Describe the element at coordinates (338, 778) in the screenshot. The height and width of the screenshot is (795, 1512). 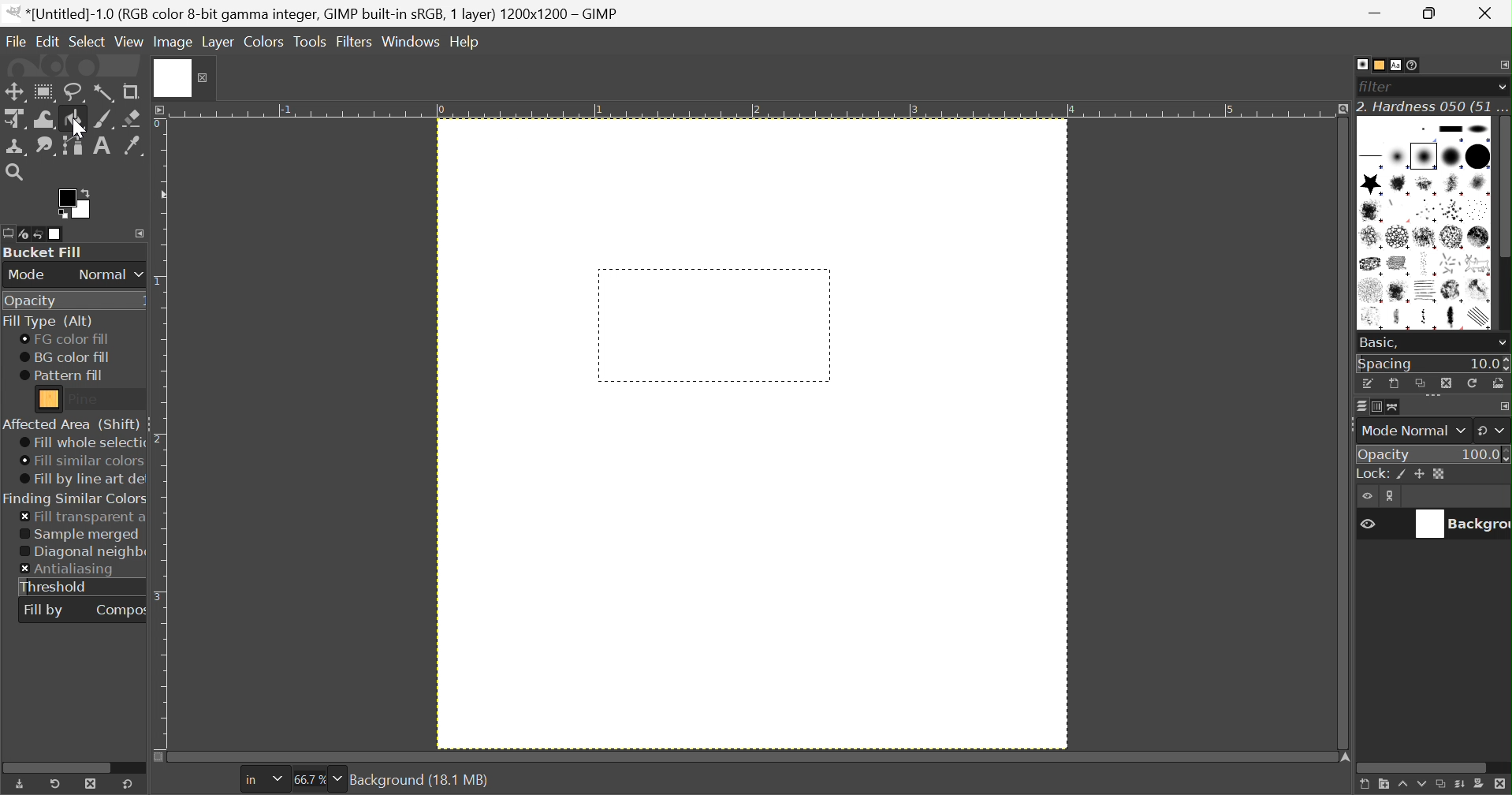
I see `Drop down` at that location.